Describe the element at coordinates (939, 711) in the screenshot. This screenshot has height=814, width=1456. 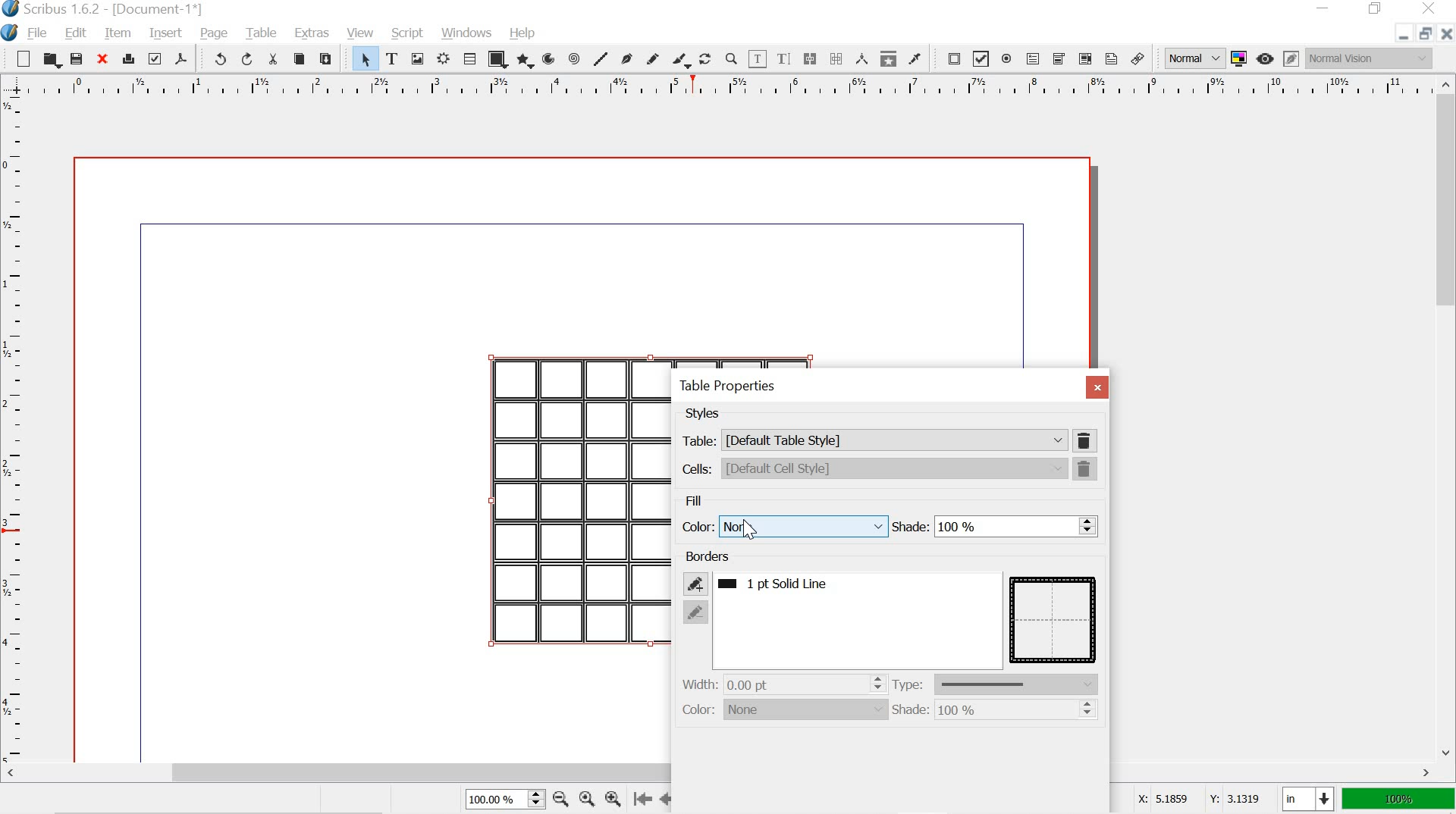
I see `shade: 100%` at that location.